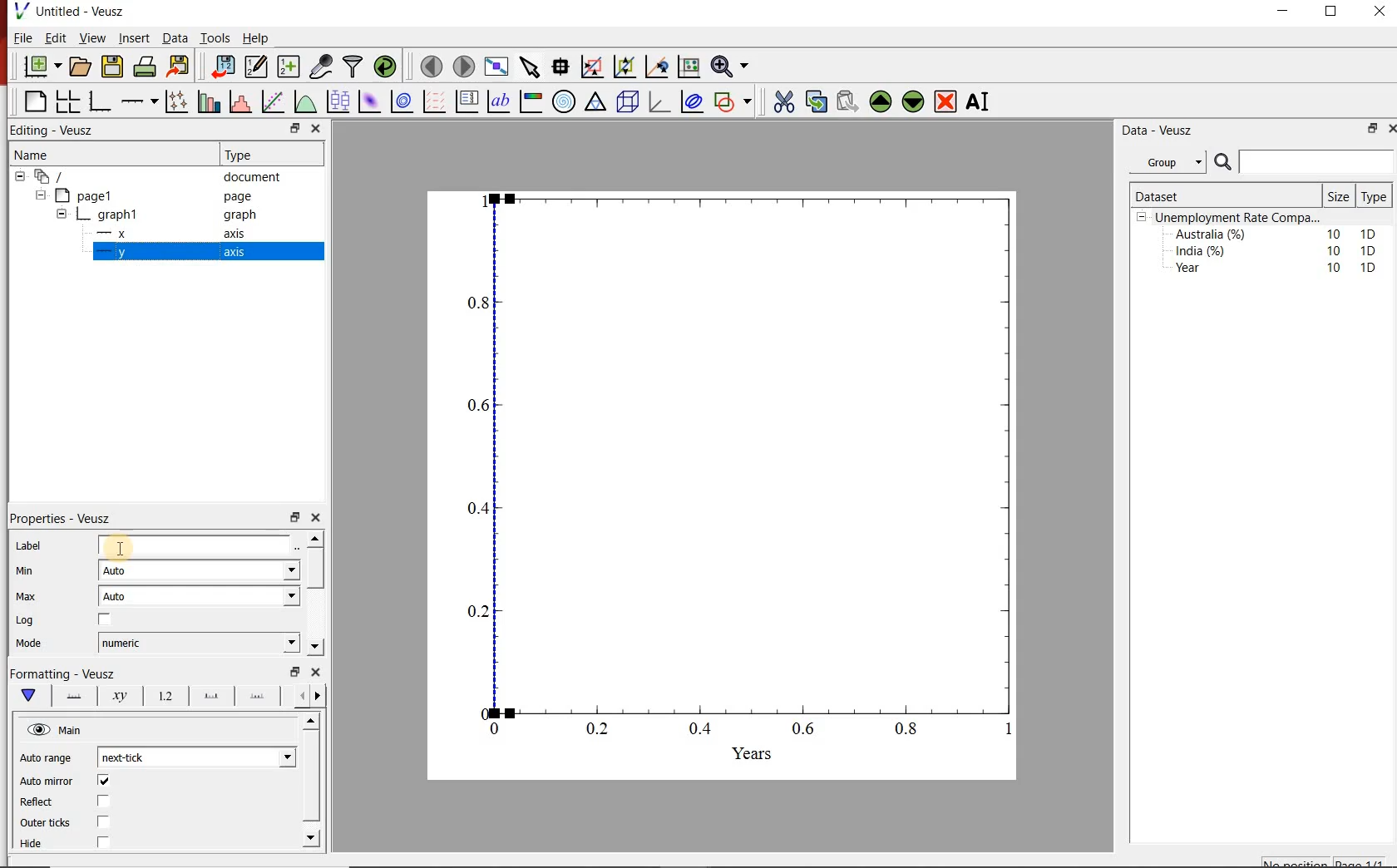 This screenshot has height=868, width=1397. What do you see at coordinates (815, 101) in the screenshot?
I see `copy the widgets` at bounding box center [815, 101].